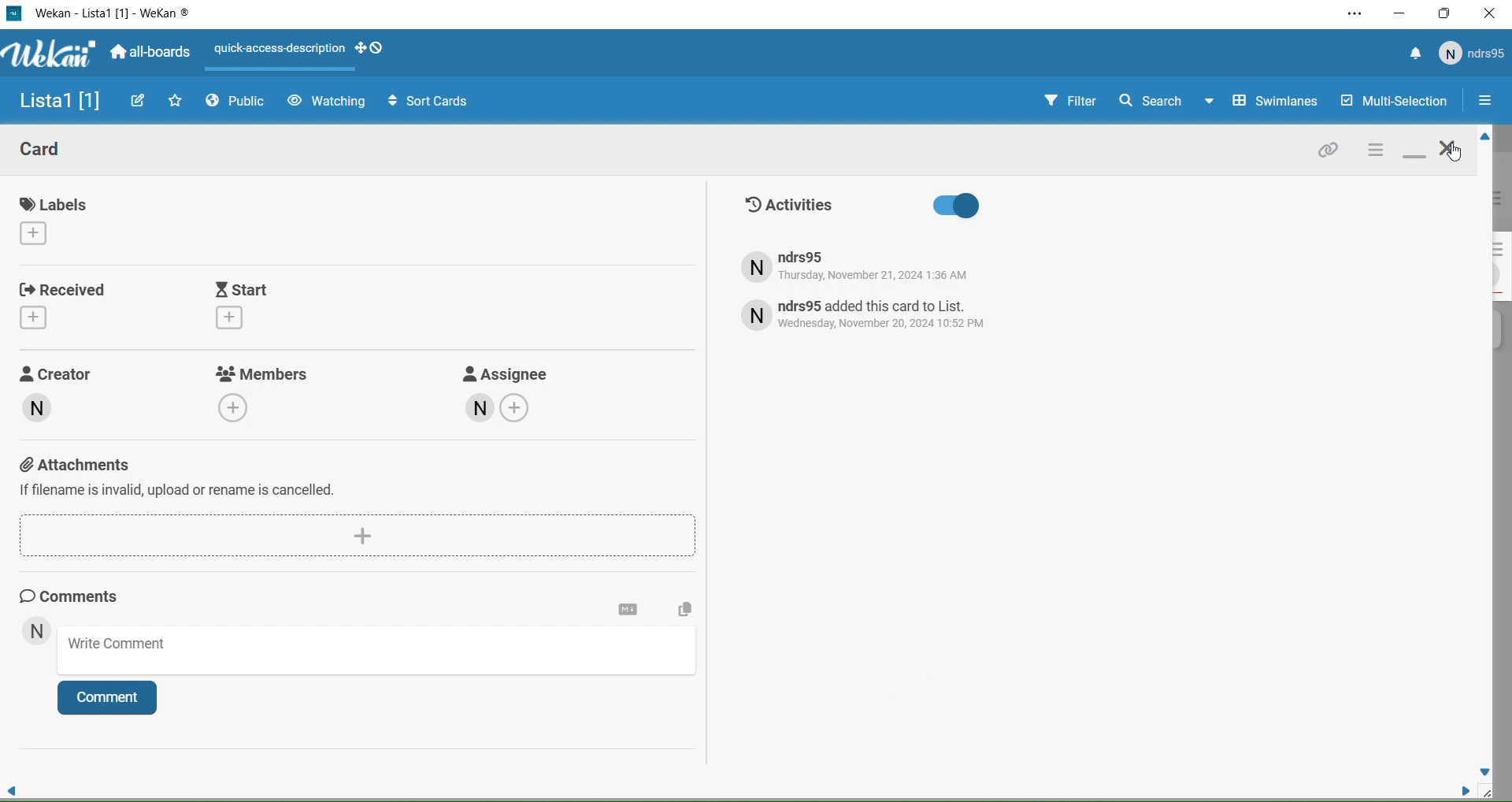  Describe the element at coordinates (73, 403) in the screenshot. I see `Creator` at that location.